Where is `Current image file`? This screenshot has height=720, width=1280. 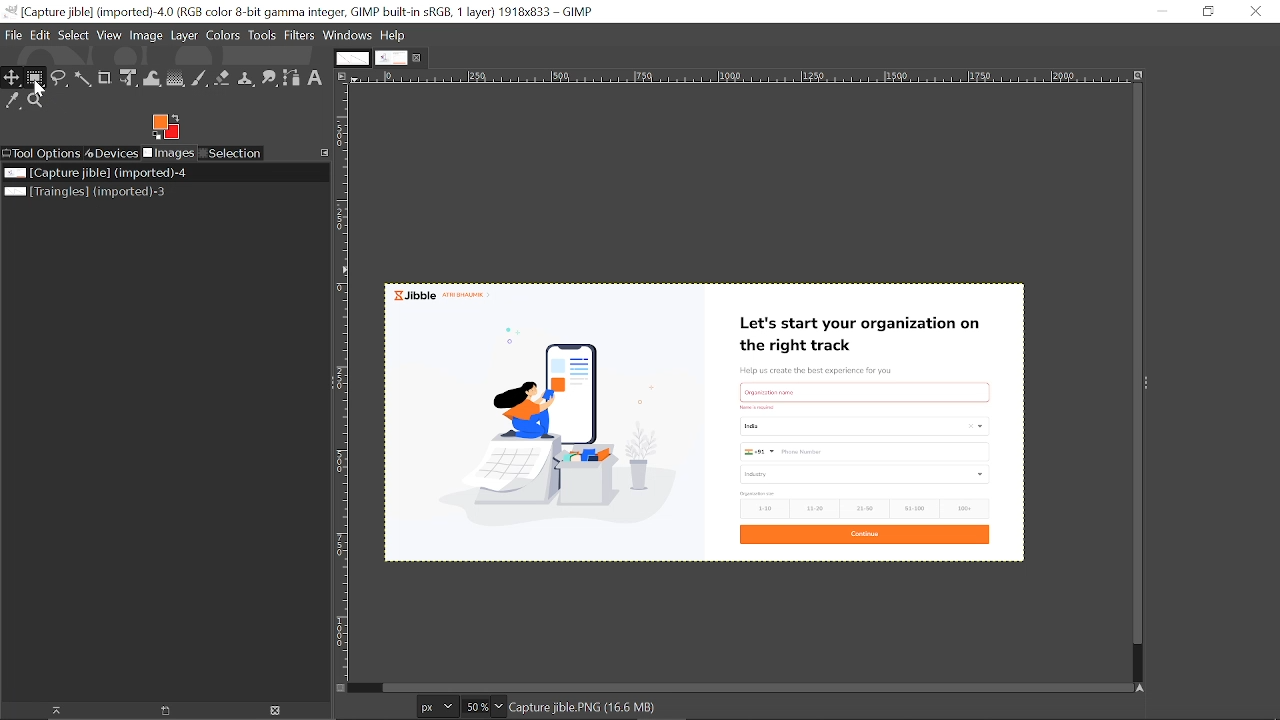
Current image file is located at coordinates (93, 172).